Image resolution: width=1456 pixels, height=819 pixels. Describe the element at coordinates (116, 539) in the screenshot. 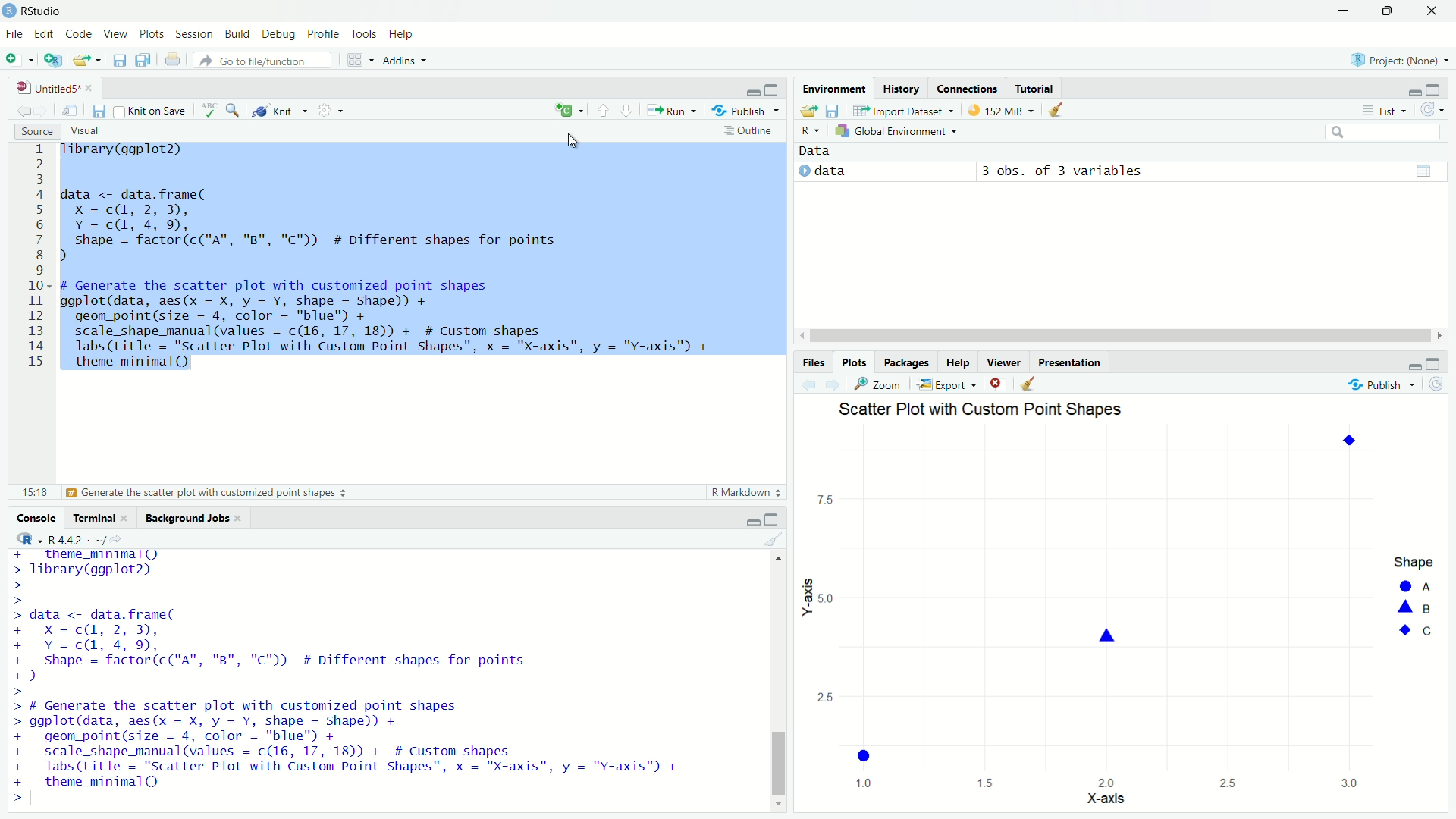

I see `View the current working current directory` at that location.